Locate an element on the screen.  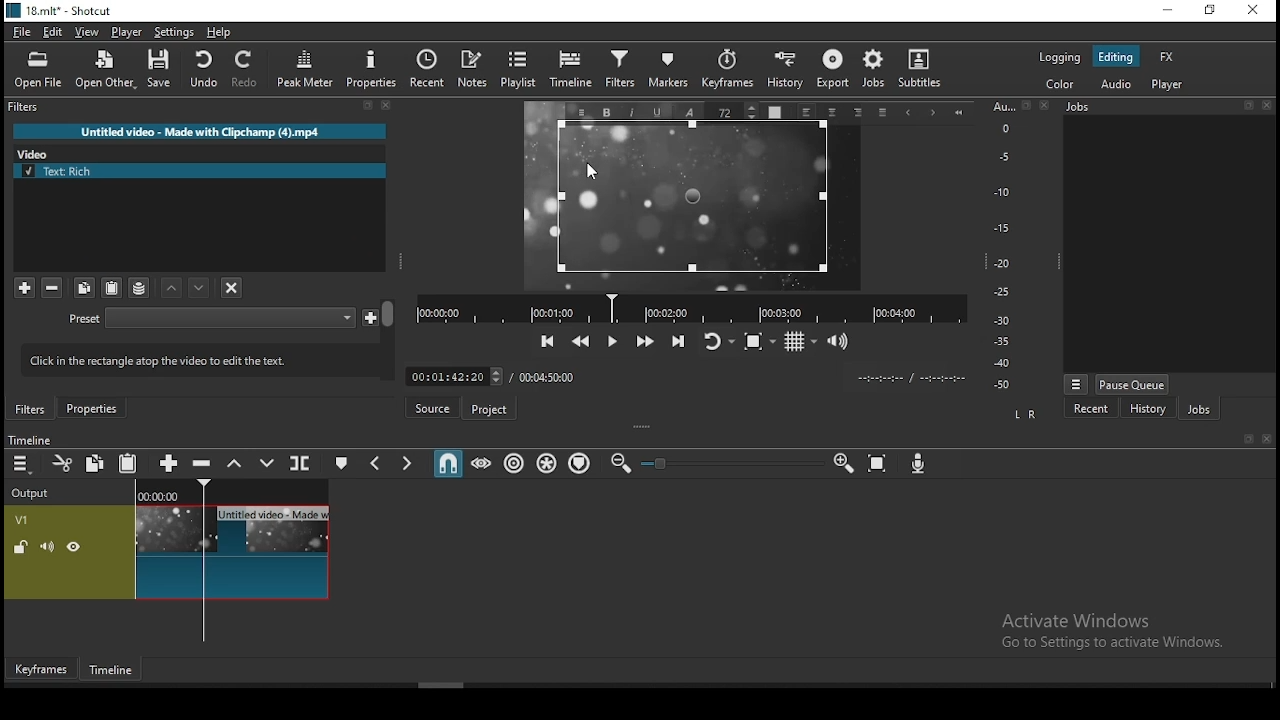
lift is located at coordinates (235, 462).